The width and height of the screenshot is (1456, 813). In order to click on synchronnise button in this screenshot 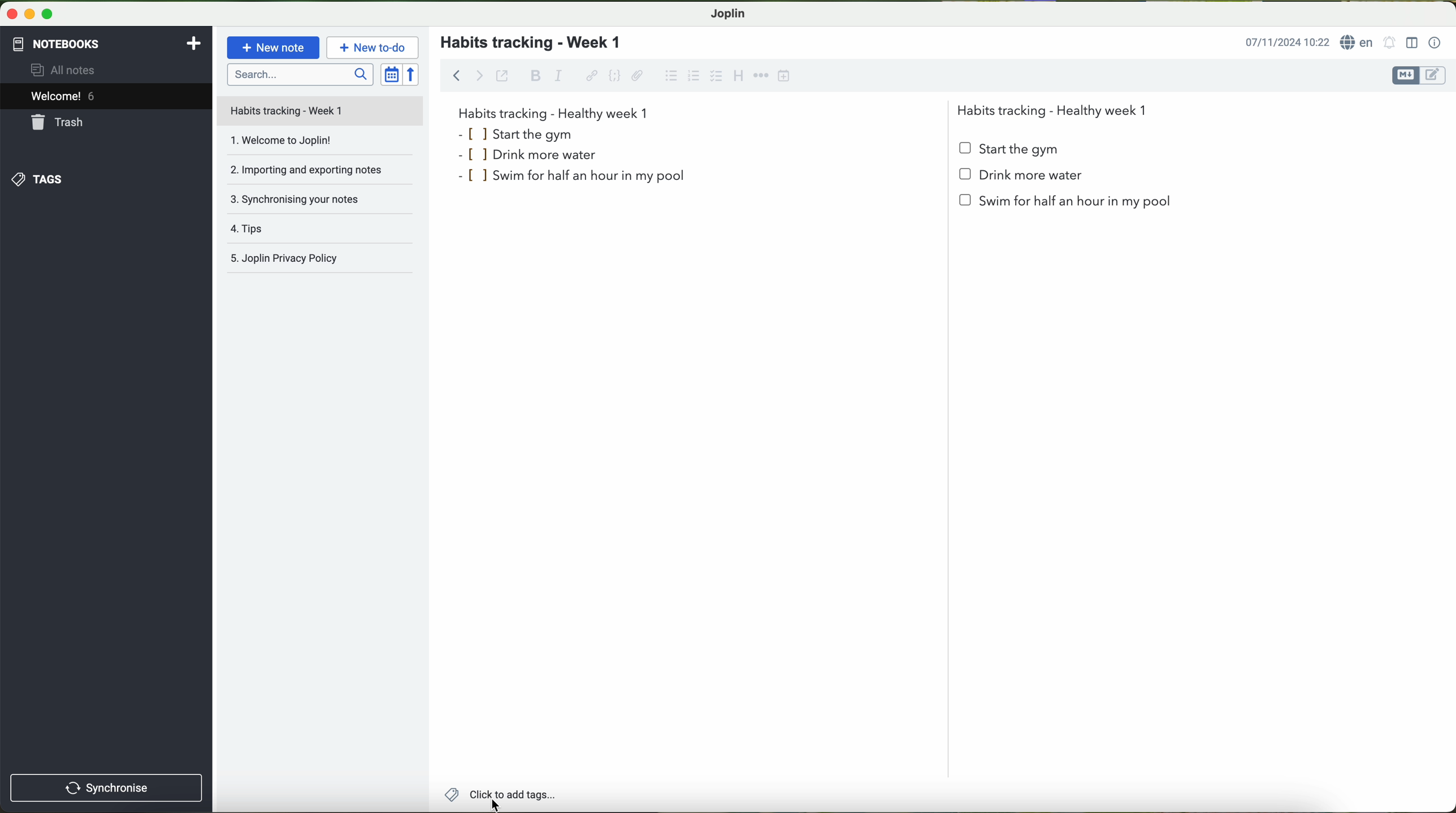, I will do `click(105, 789)`.